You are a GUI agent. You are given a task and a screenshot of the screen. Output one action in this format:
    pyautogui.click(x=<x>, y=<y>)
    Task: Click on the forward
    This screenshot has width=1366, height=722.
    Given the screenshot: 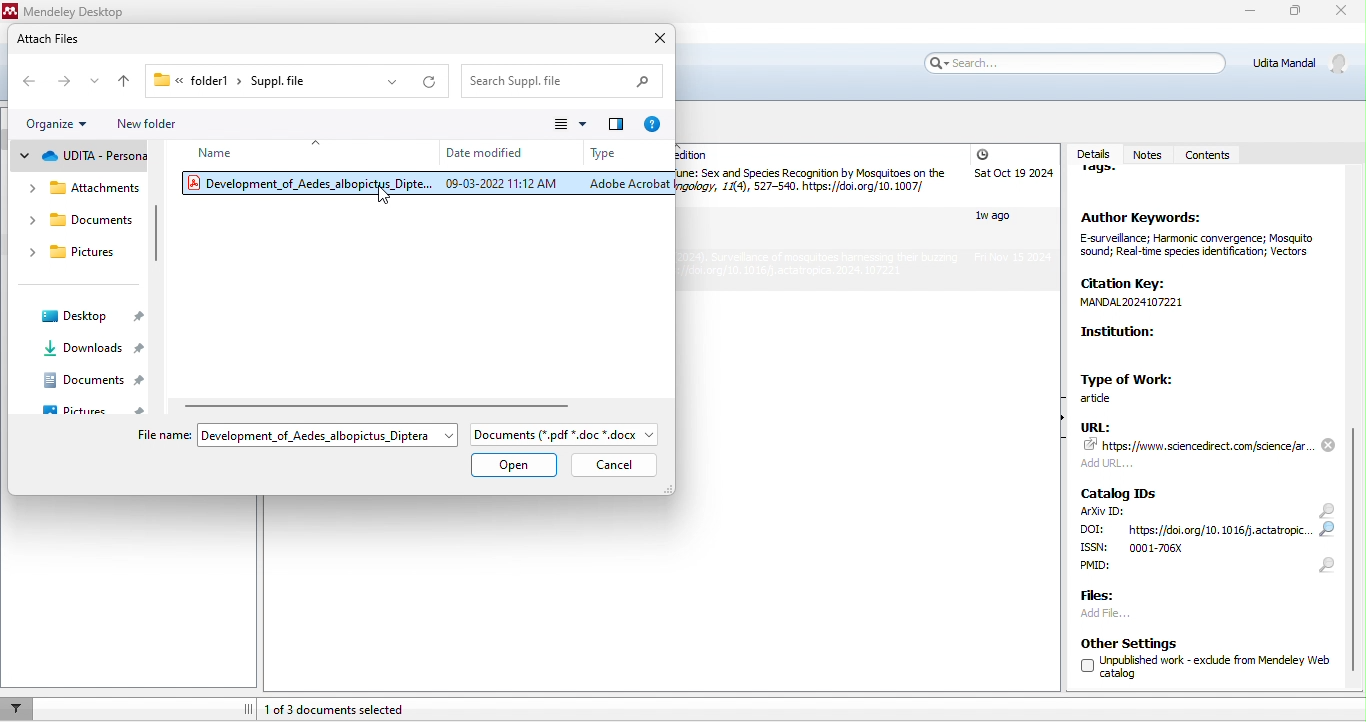 What is the action you would take?
    pyautogui.click(x=61, y=80)
    